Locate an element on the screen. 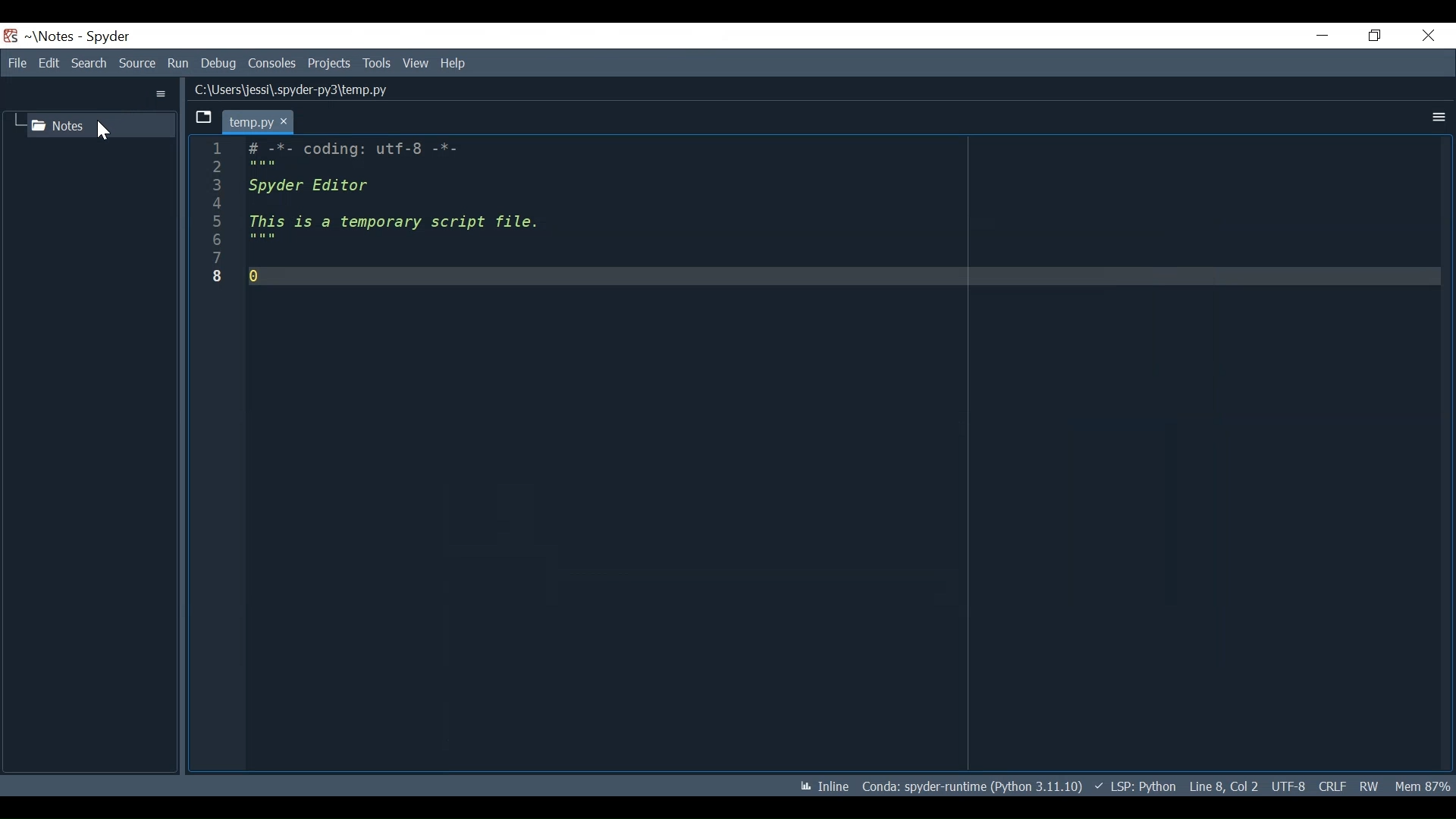  Projects Name is located at coordinates (49, 36).